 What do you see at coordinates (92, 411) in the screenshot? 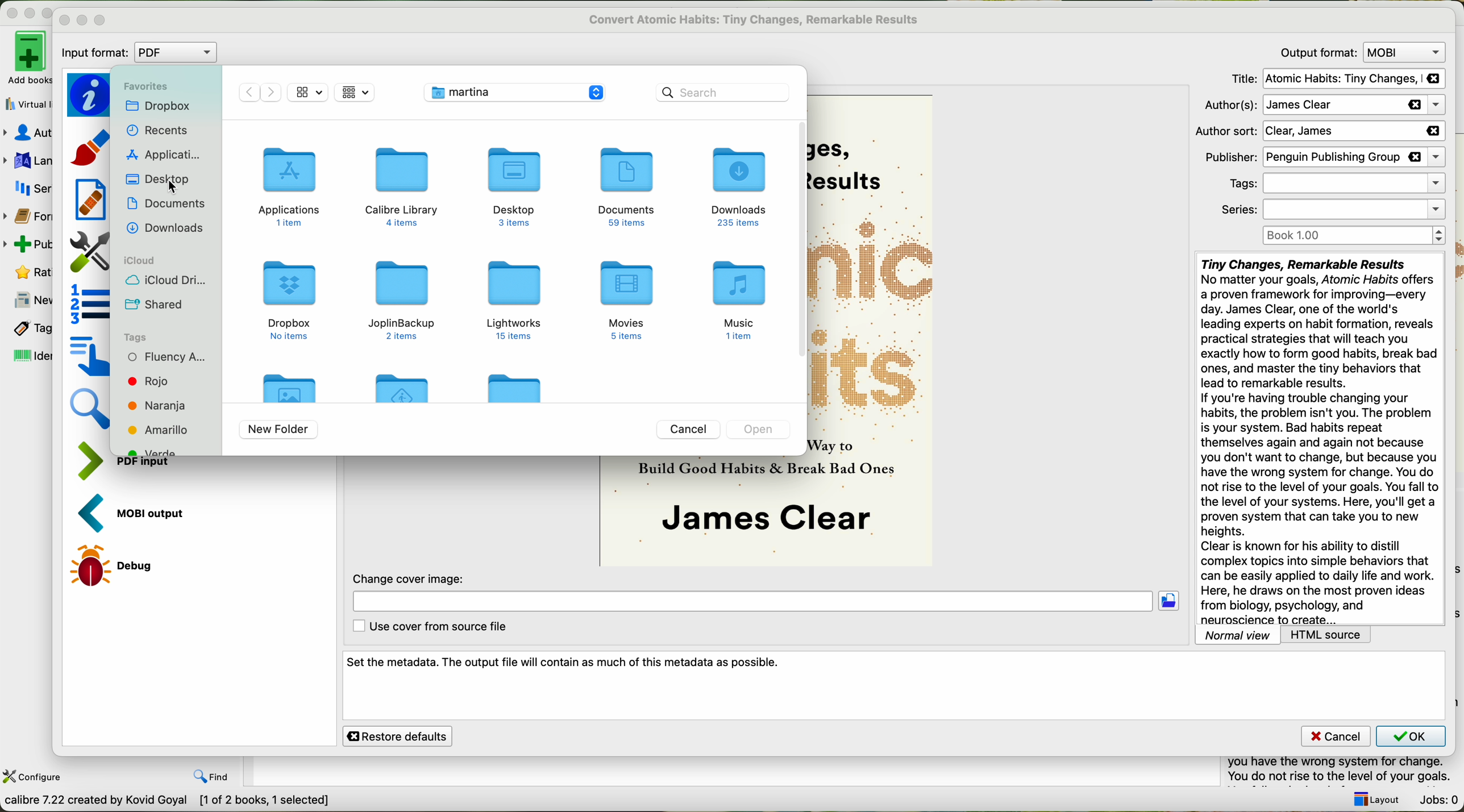
I see `search and replace` at bounding box center [92, 411].